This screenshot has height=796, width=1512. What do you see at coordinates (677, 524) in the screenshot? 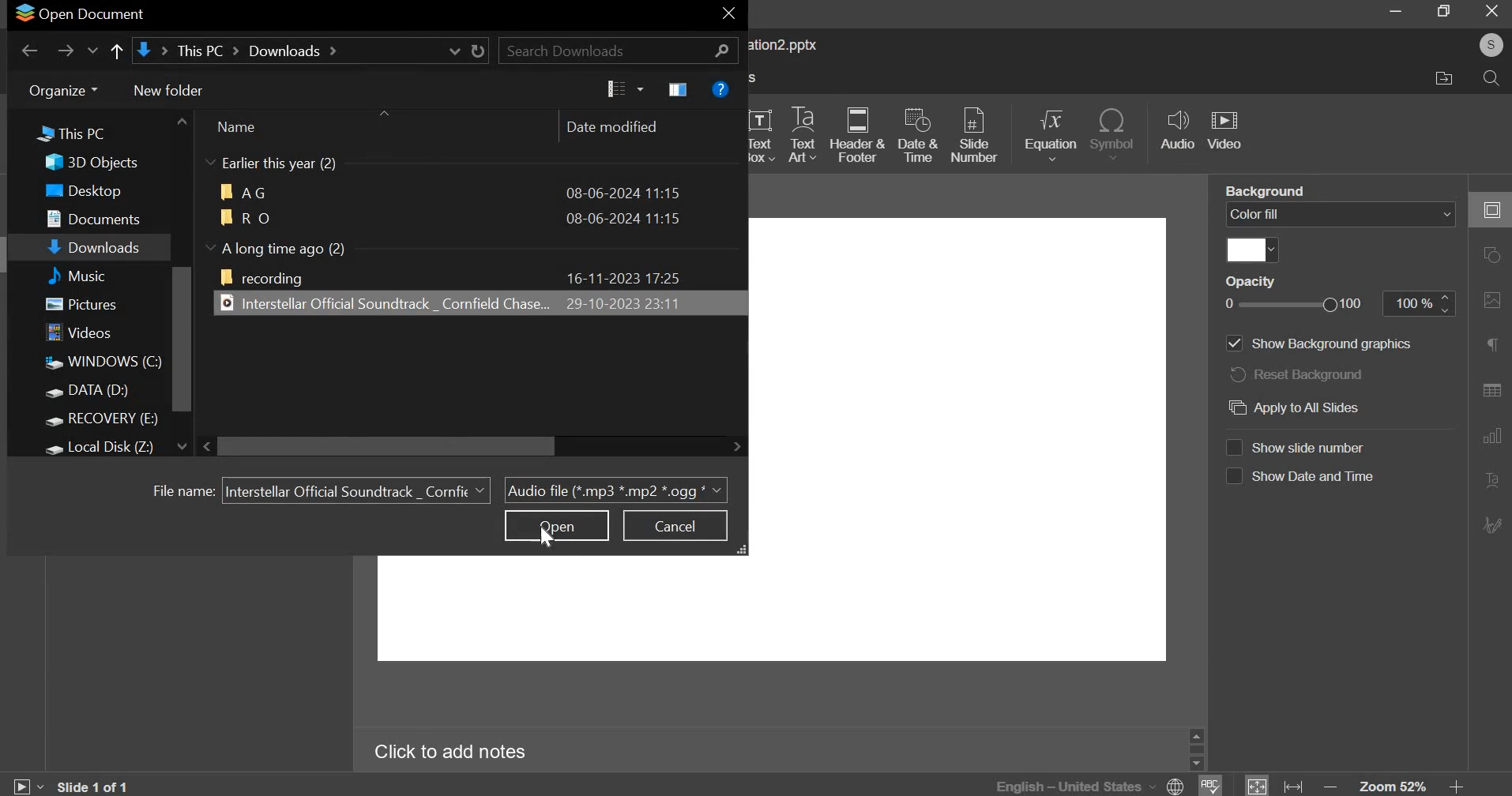
I see `cancel` at bounding box center [677, 524].